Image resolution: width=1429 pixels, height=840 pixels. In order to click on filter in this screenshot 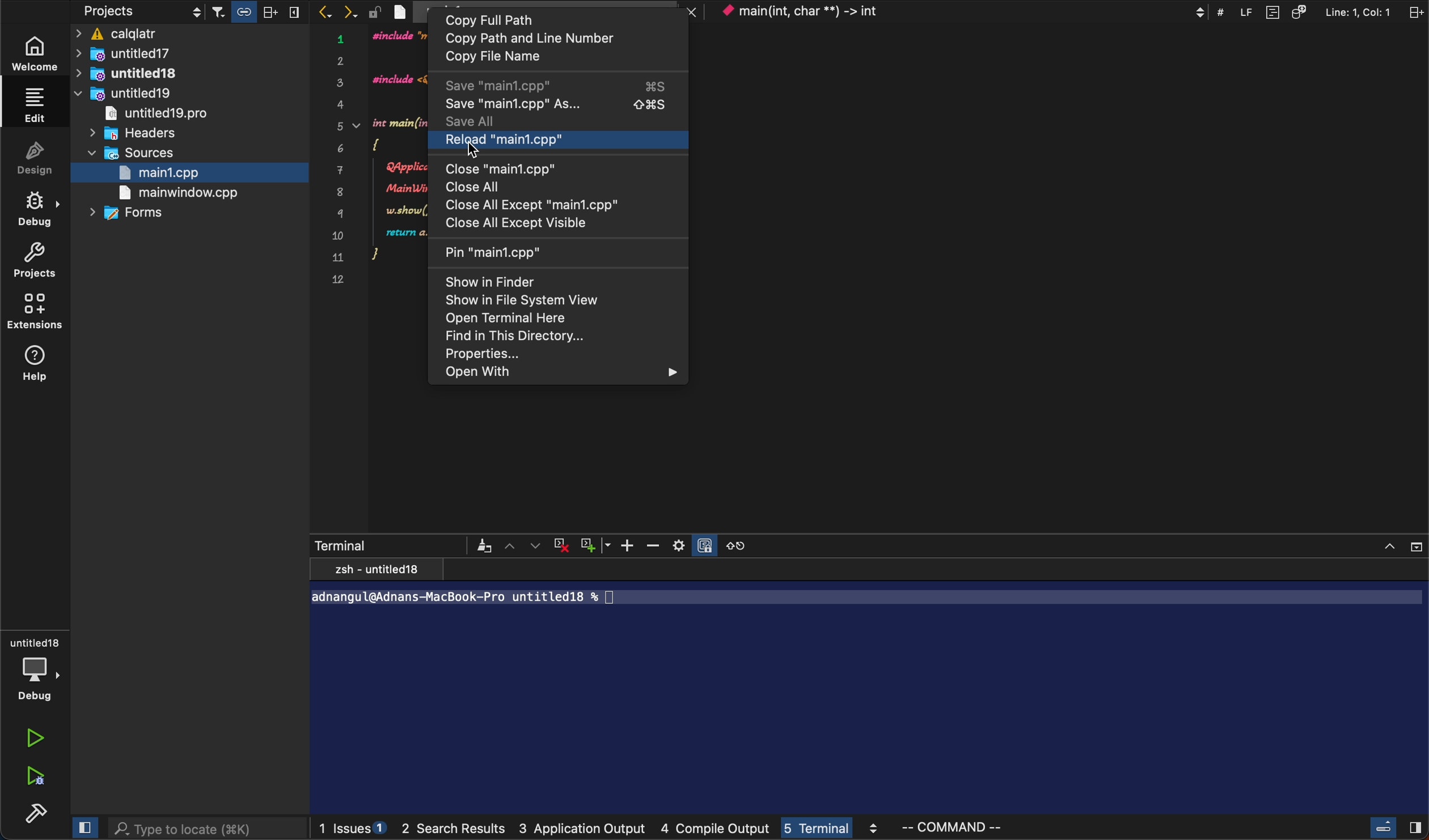, I will do `click(484, 545)`.